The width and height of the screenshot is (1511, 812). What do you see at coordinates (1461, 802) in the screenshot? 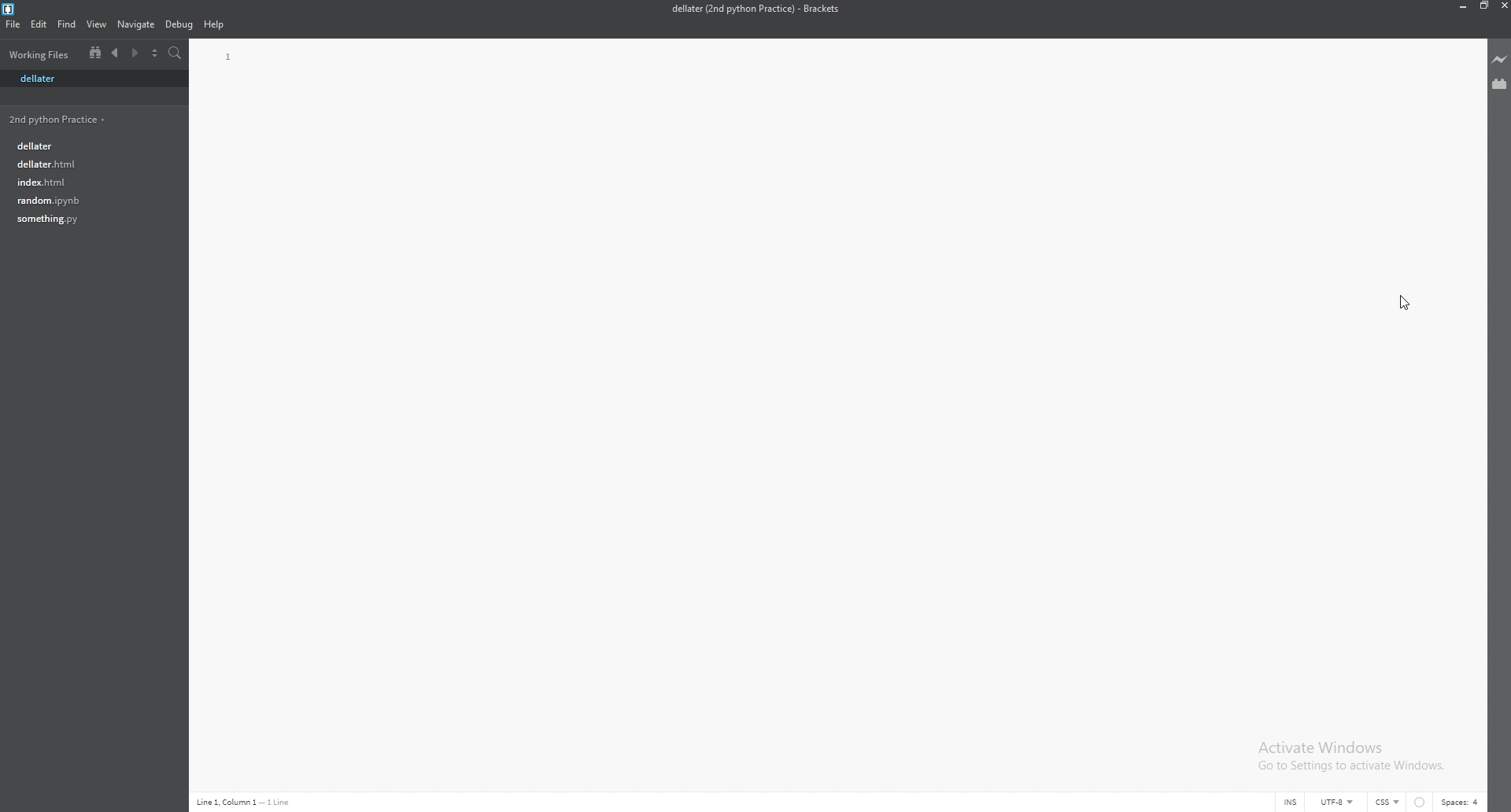
I see `spaces` at bounding box center [1461, 802].